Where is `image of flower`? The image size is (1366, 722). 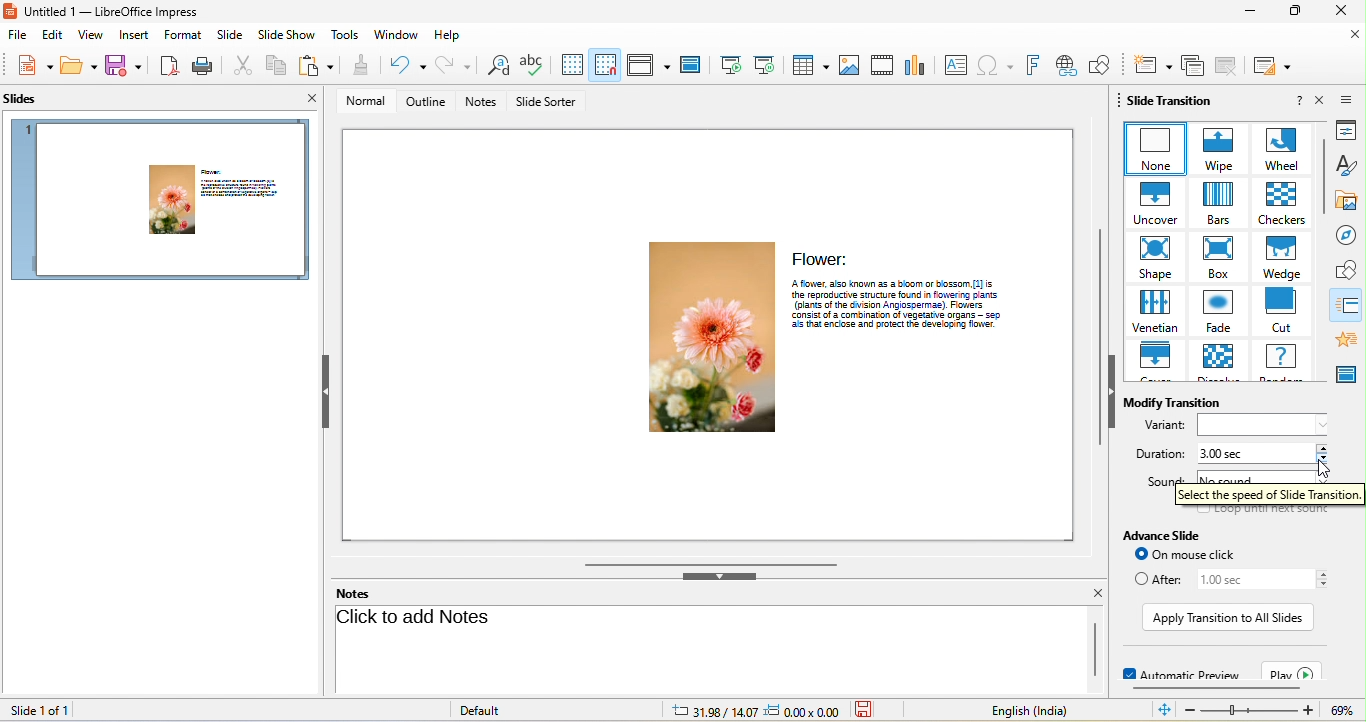
image of flower is located at coordinates (707, 338).